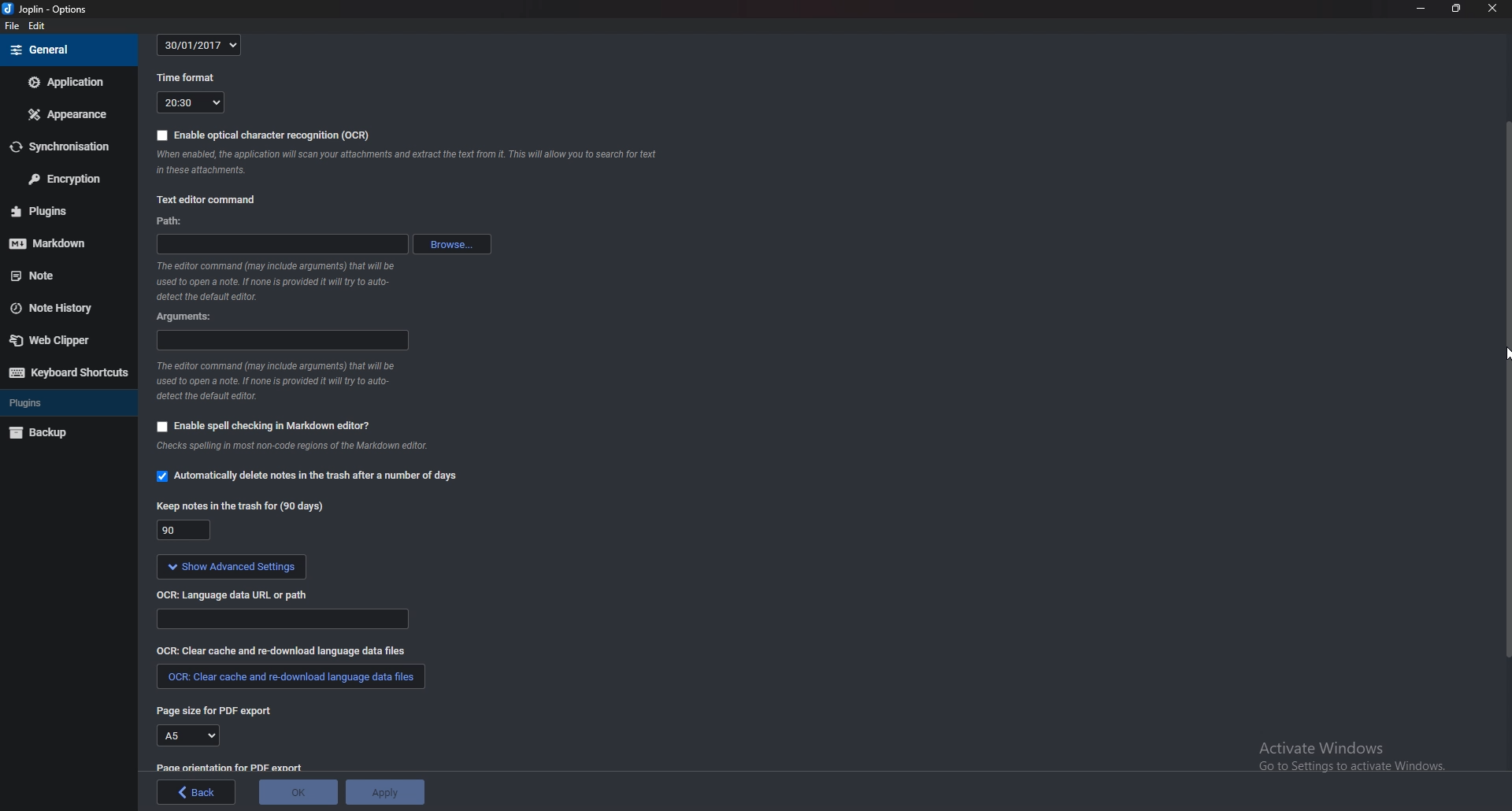  What do you see at coordinates (13, 26) in the screenshot?
I see `file` at bounding box center [13, 26].